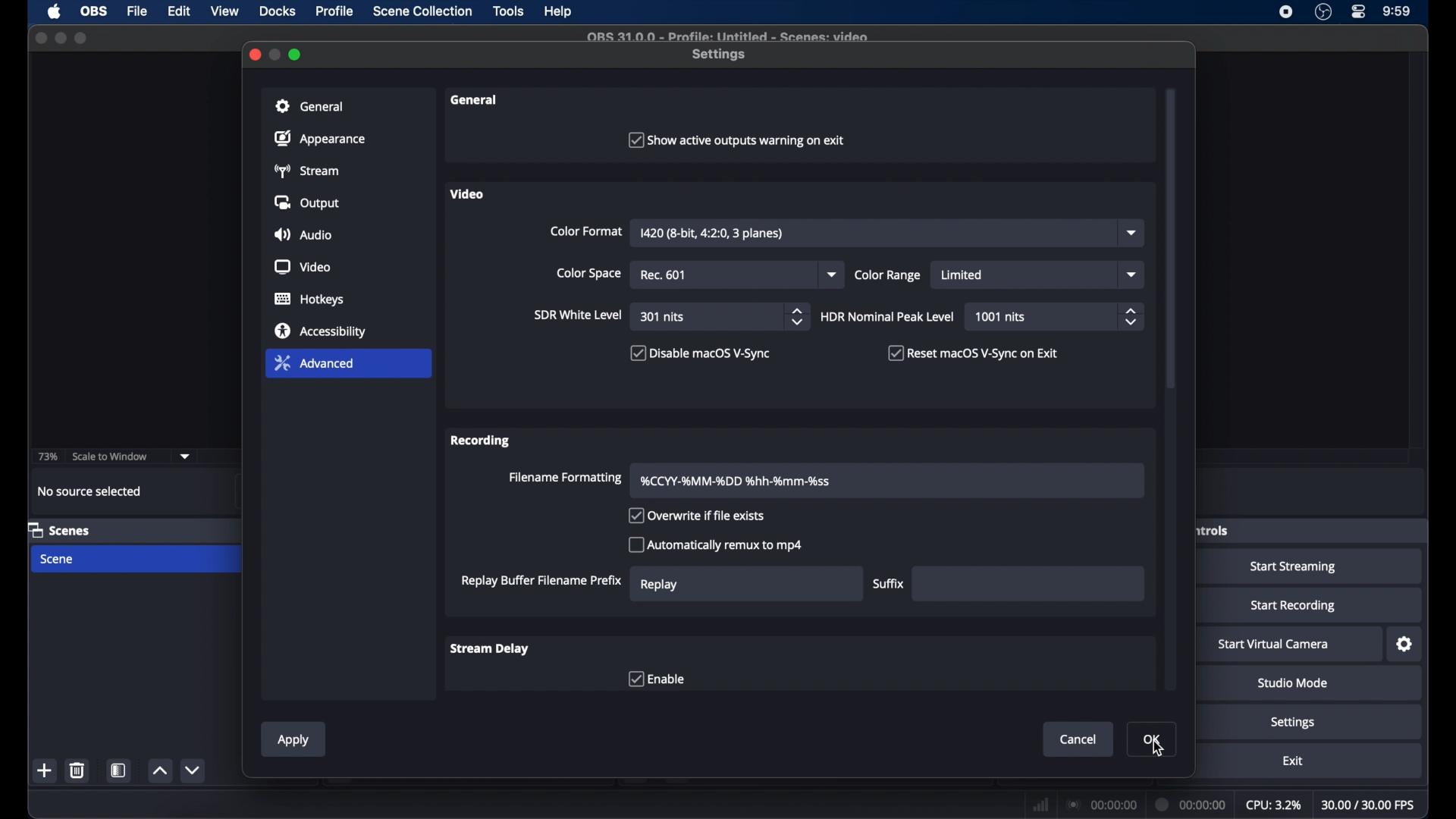 This screenshot has width=1456, height=819. Describe the element at coordinates (1323, 12) in the screenshot. I see `obs studio` at that location.